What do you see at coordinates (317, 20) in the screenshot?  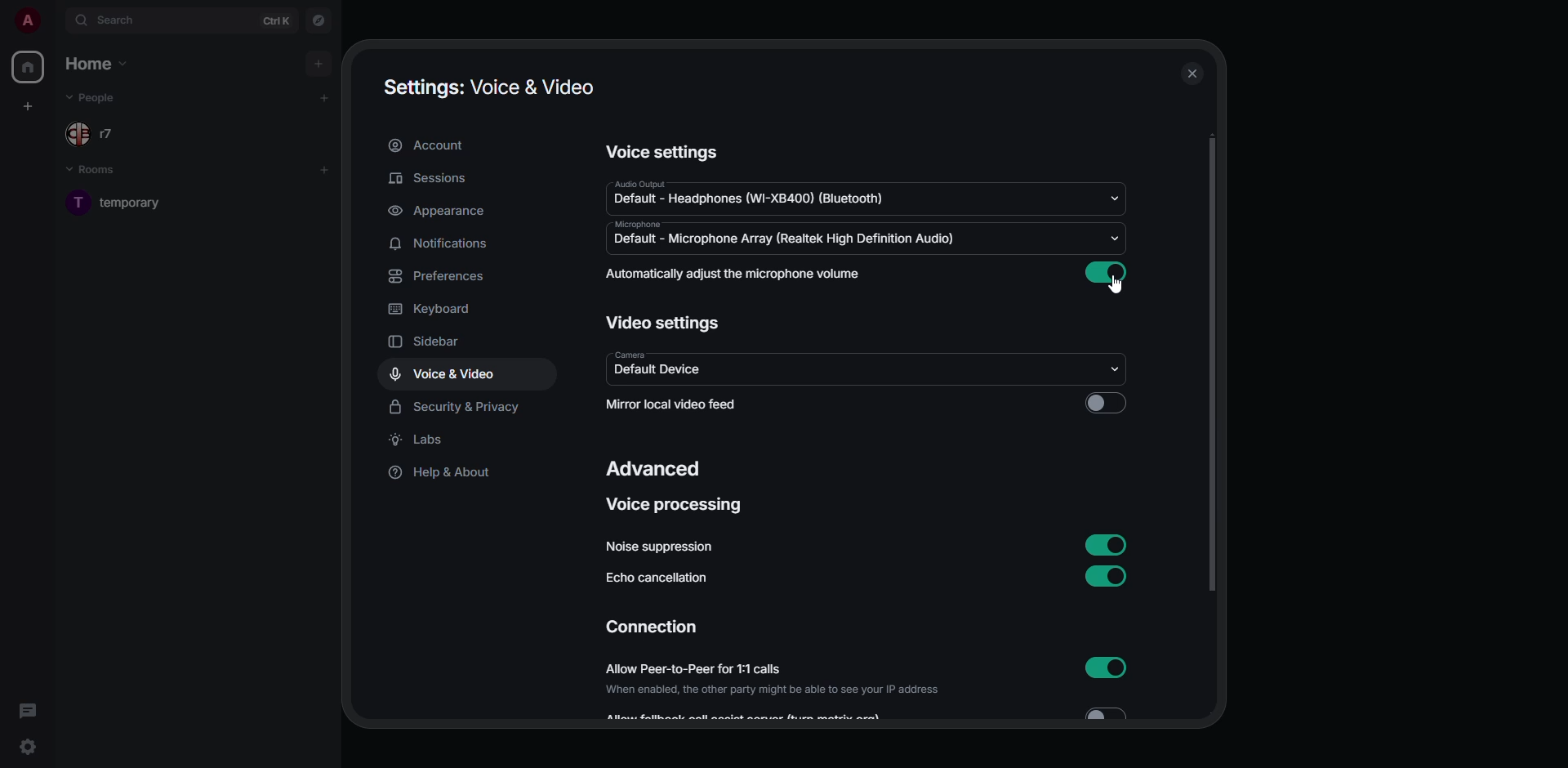 I see `navigator` at bounding box center [317, 20].